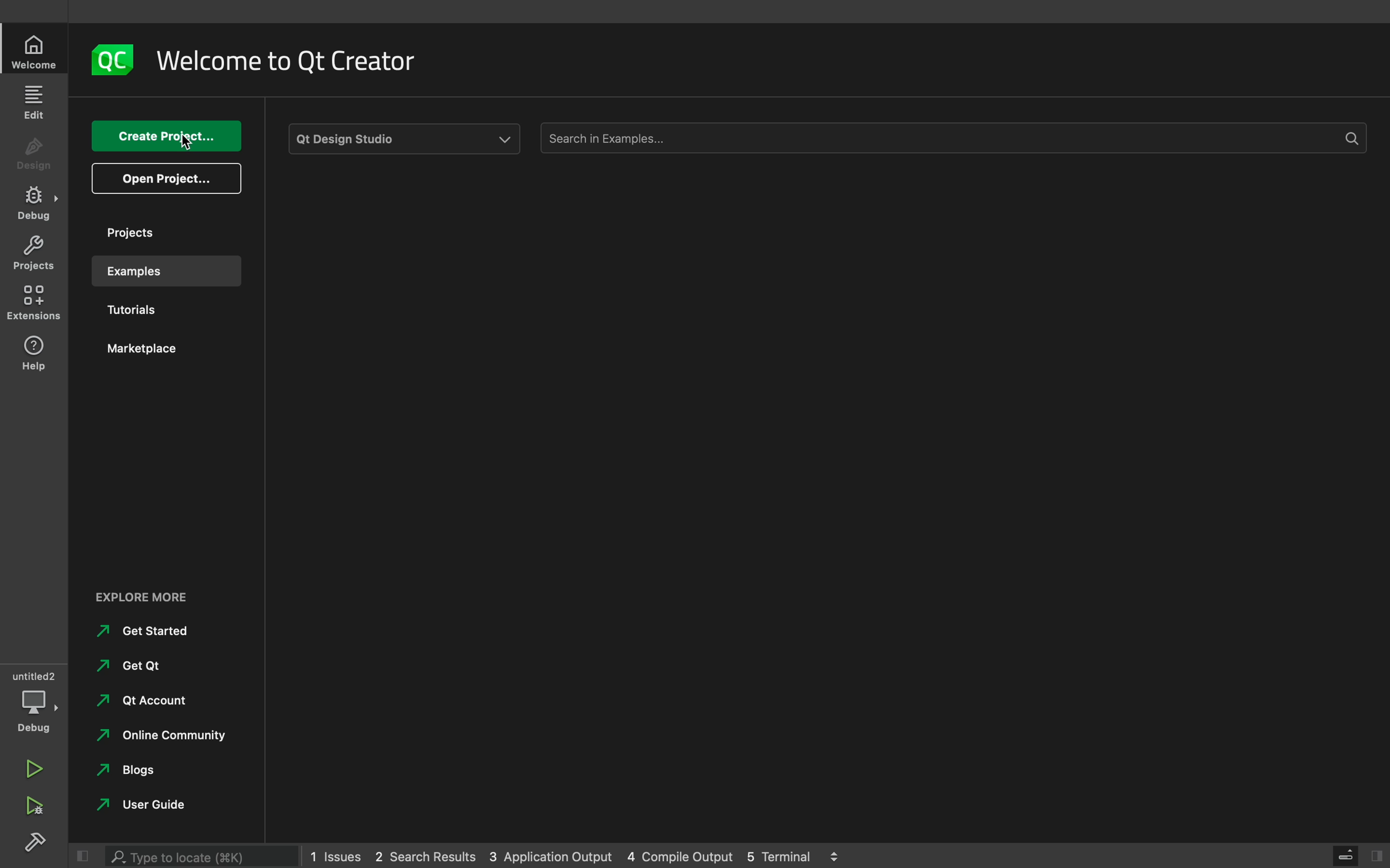  I want to click on projects, so click(160, 232).